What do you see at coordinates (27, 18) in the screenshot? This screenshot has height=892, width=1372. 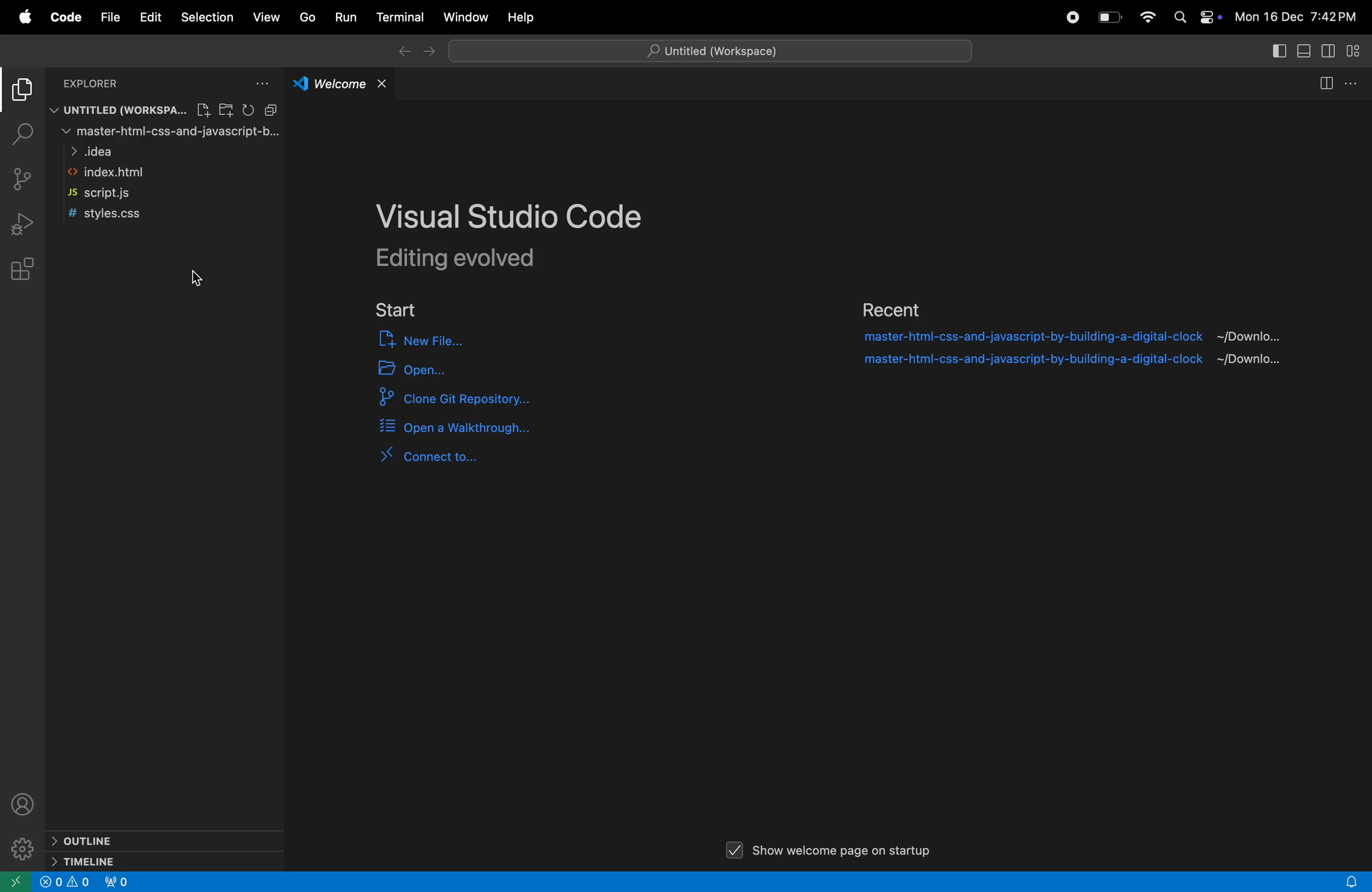 I see `apple menu` at bounding box center [27, 18].